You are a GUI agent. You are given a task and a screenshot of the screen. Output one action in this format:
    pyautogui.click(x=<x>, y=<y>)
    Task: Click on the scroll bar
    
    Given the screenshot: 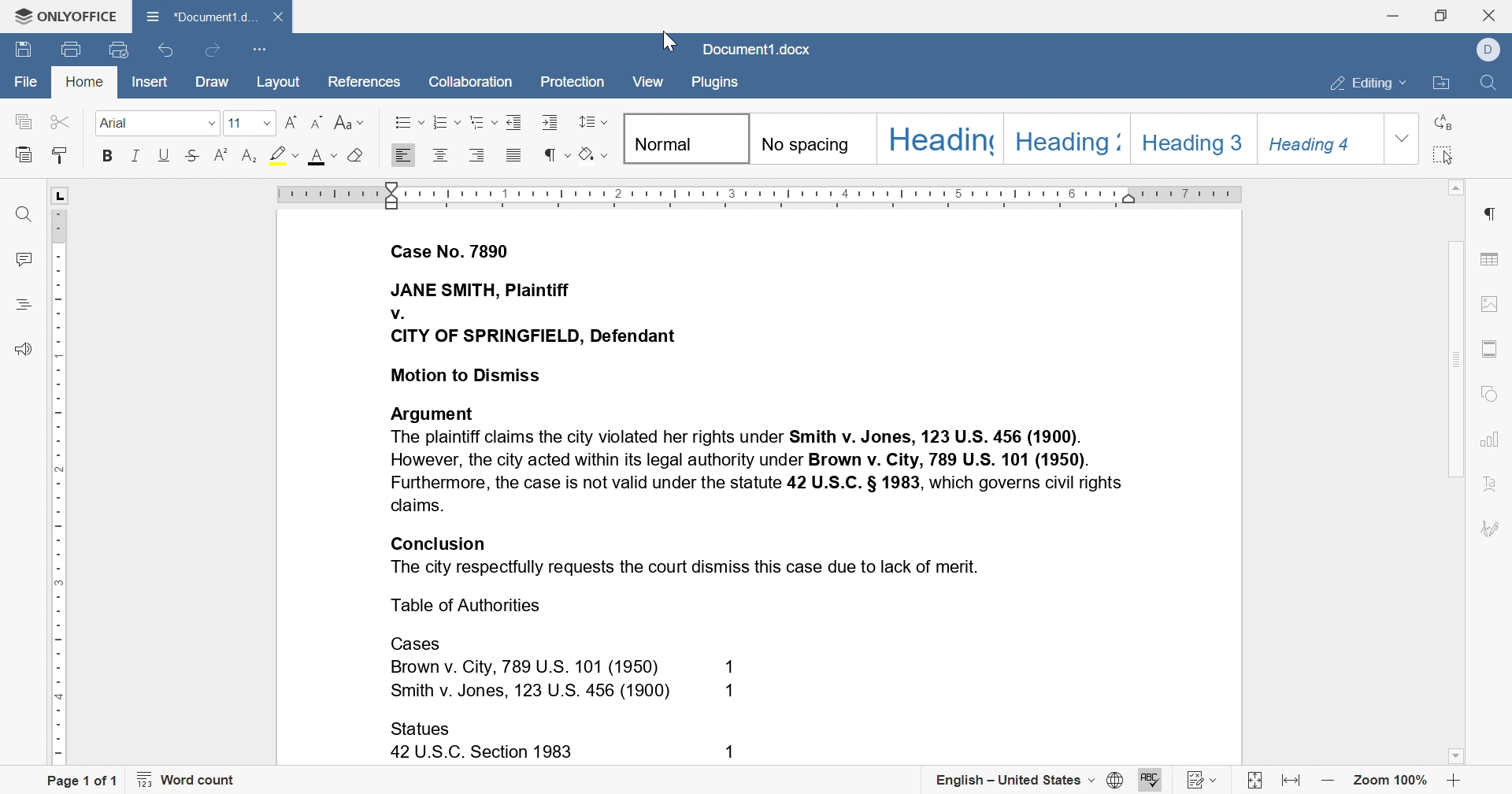 What is the action you would take?
    pyautogui.click(x=1453, y=306)
    